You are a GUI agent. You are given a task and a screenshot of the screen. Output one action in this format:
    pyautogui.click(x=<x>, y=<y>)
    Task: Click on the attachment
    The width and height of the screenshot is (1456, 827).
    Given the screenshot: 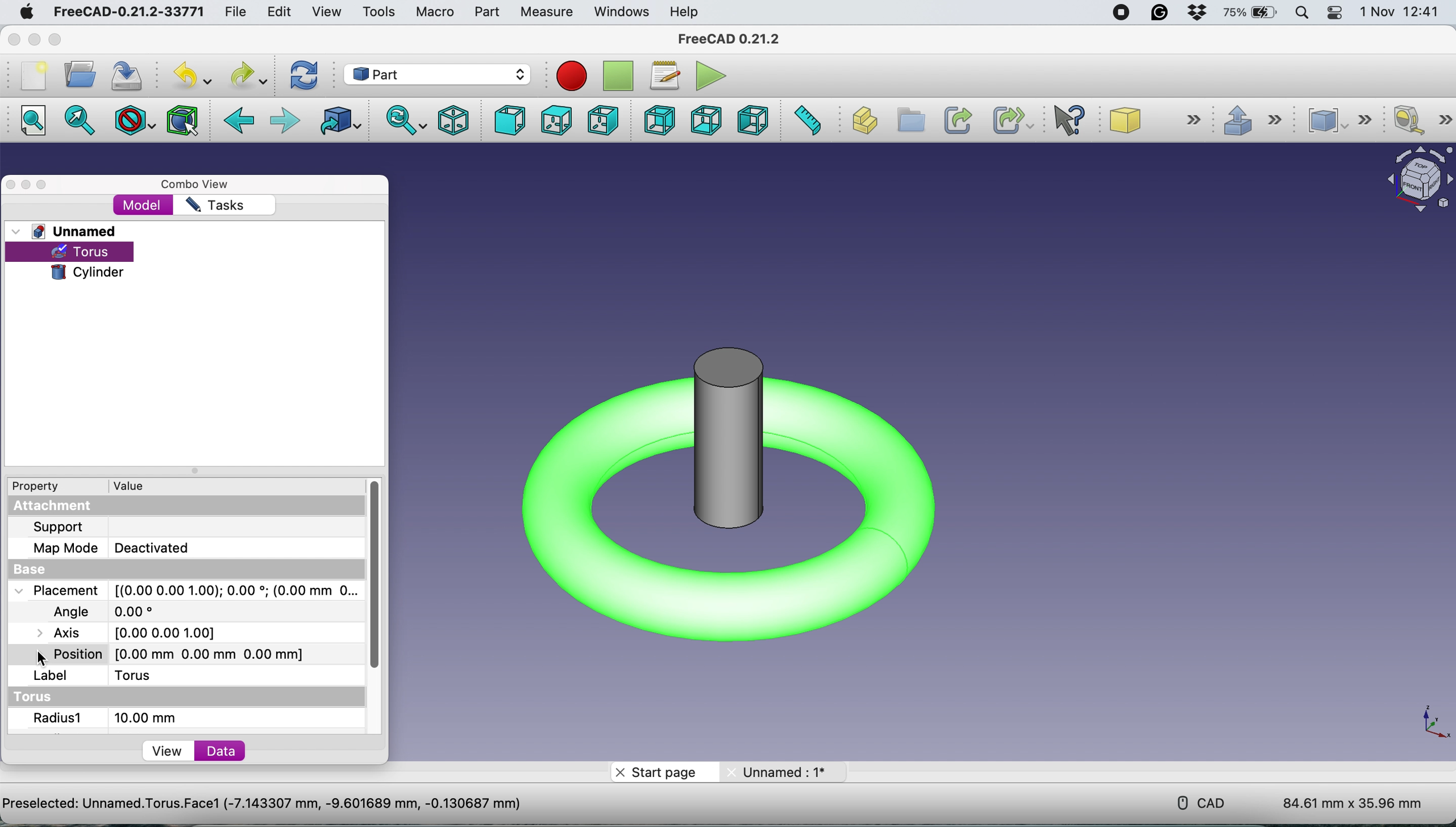 What is the action you would take?
    pyautogui.click(x=53, y=507)
    